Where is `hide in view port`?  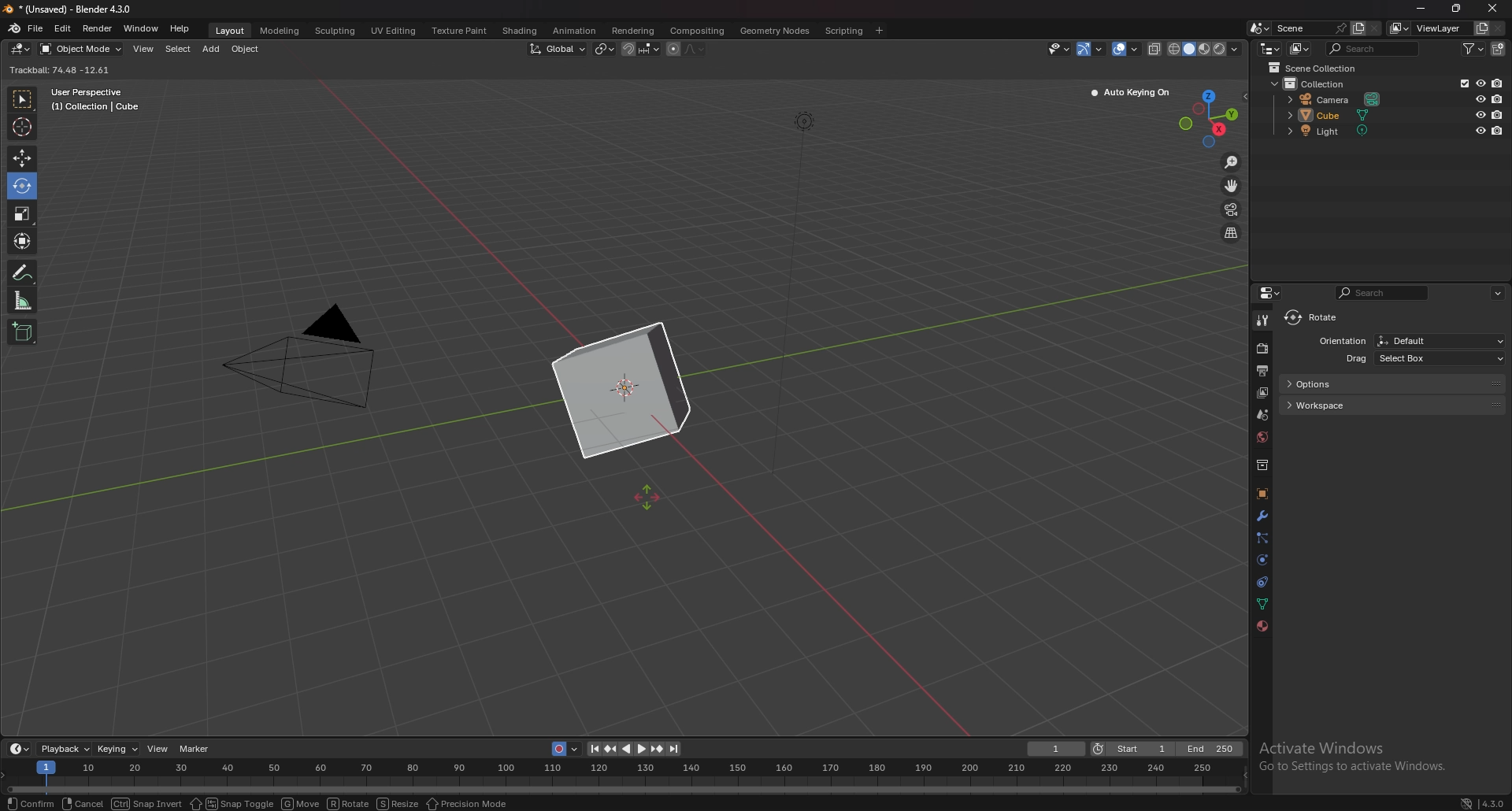
hide in view port is located at coordinates (1481, 98).